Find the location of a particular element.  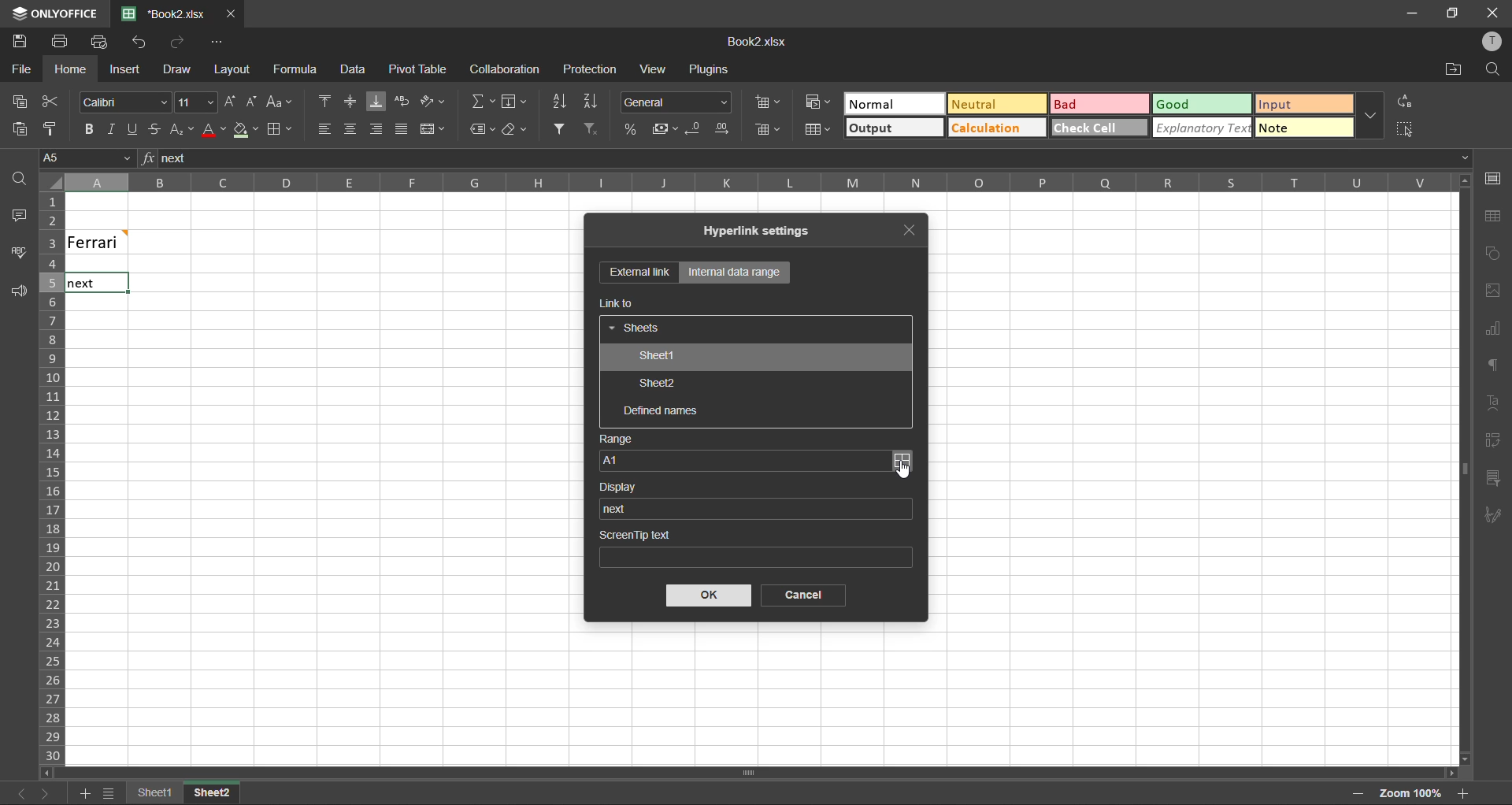

formula is located at coordinates (298, 71).